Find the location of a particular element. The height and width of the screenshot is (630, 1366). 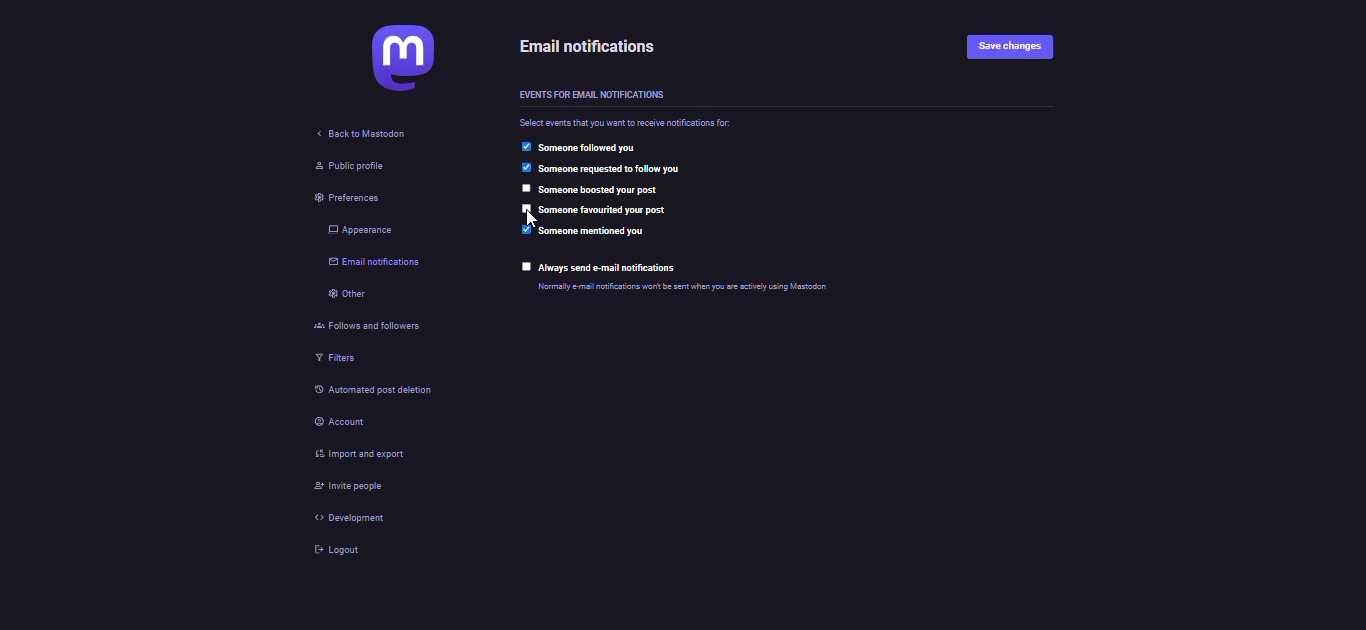

click to enable is located at coordinates (522, 188).